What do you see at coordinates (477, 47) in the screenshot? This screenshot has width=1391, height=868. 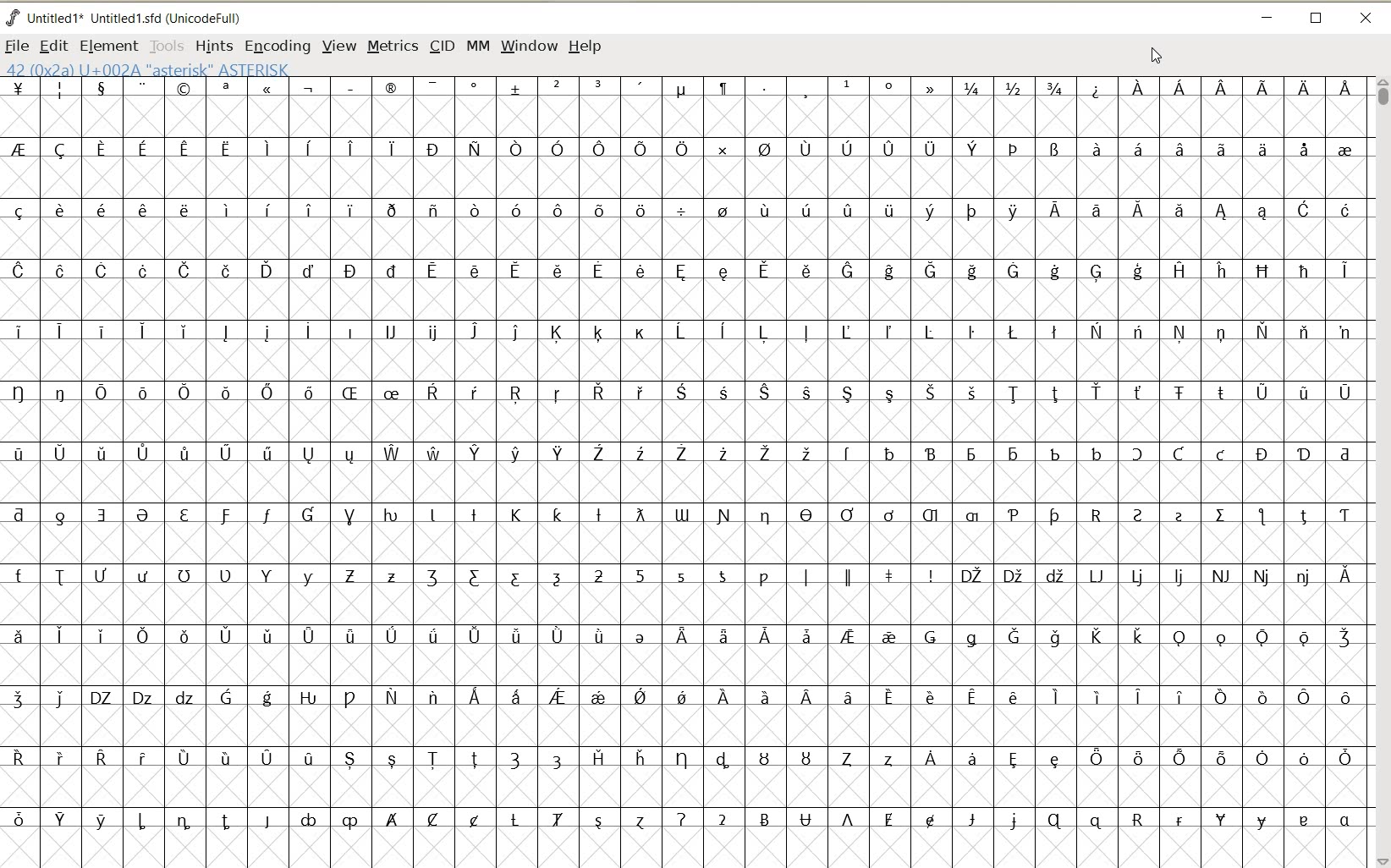 I see `MM` at bounding box center [477, 47].